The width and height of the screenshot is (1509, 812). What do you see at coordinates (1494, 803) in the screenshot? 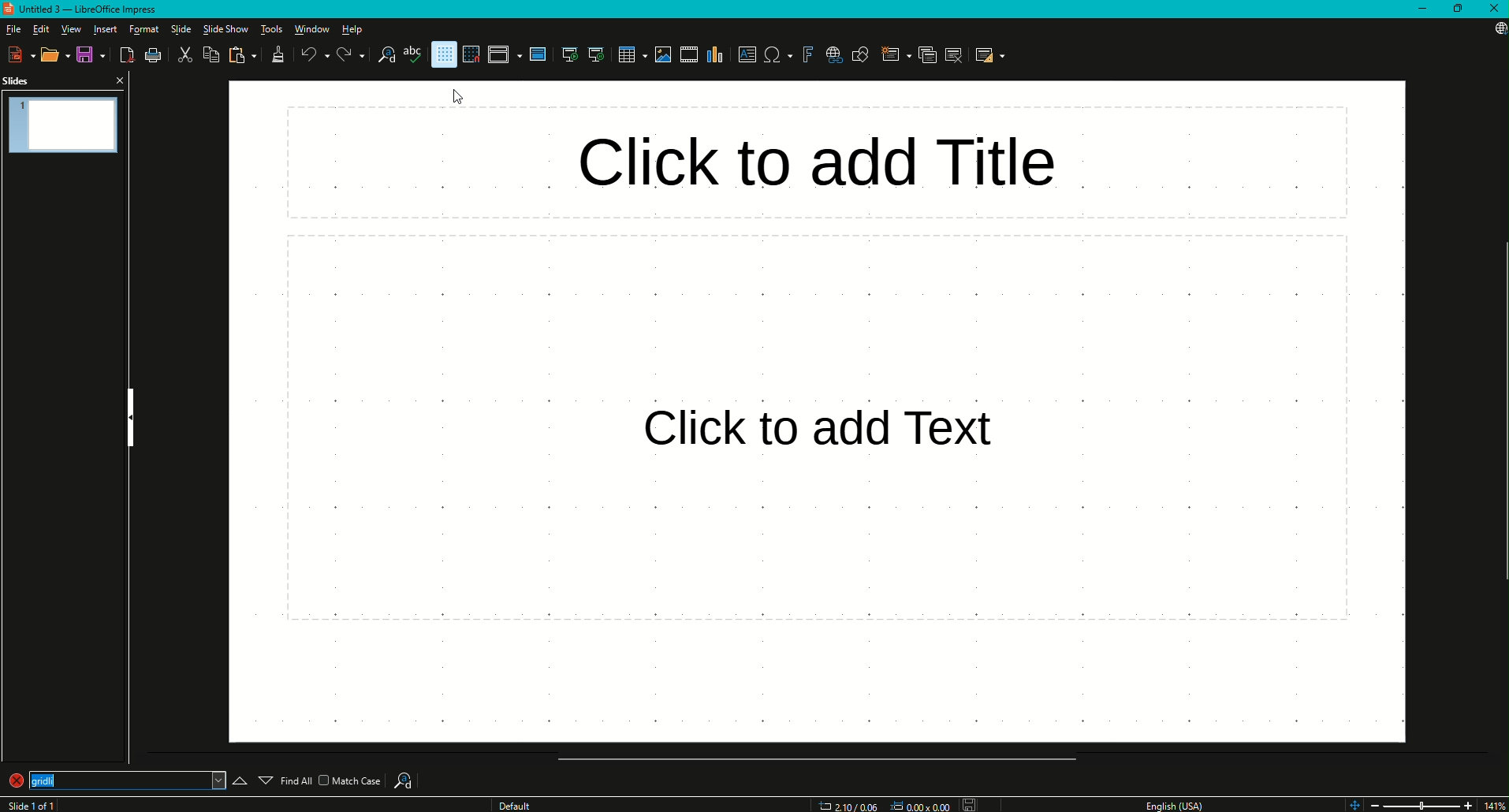
I see `14%` at bounding box center [1494, 803].